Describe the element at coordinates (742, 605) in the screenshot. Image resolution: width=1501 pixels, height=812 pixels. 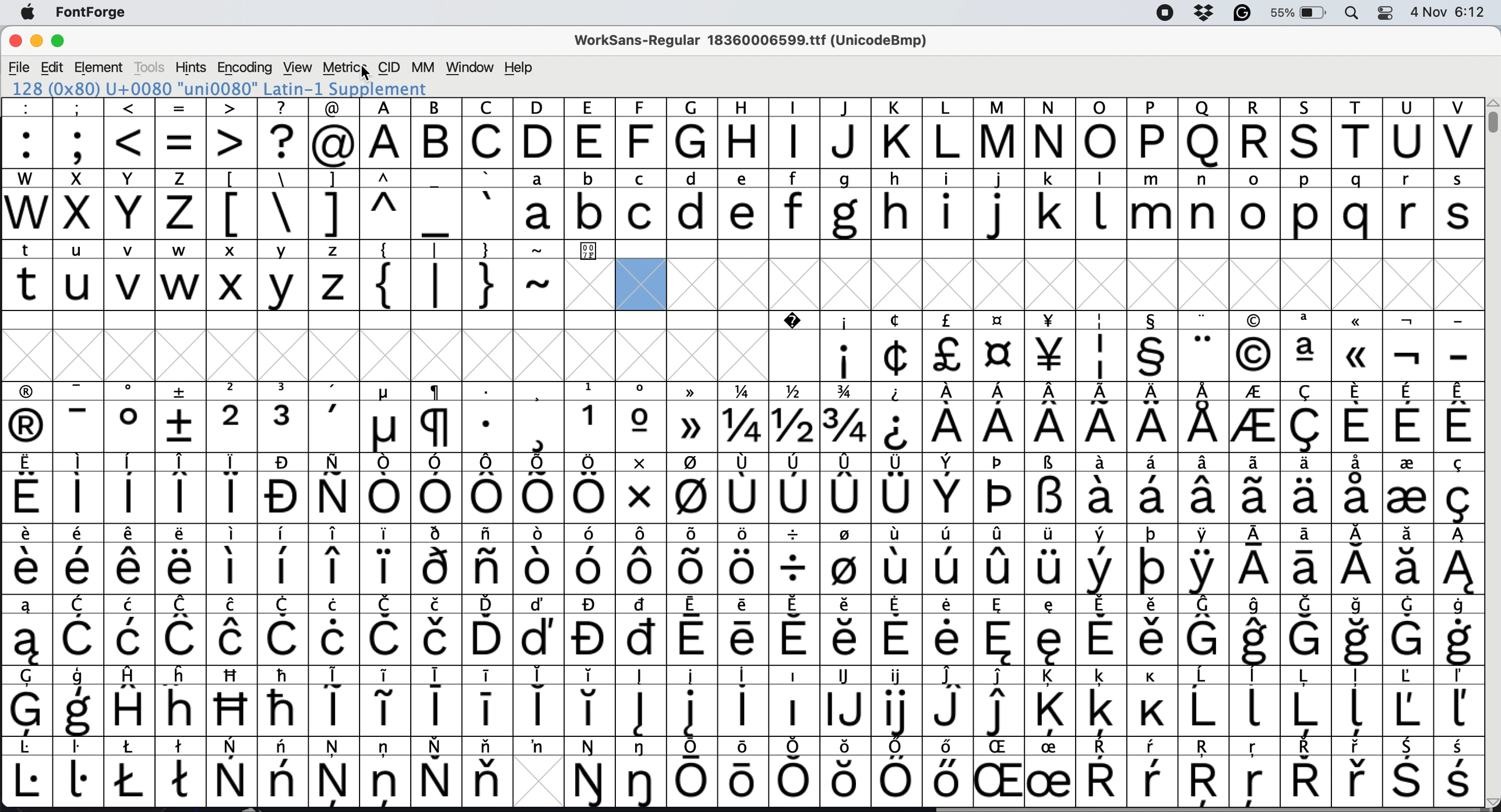
I see `special characters` at that location.